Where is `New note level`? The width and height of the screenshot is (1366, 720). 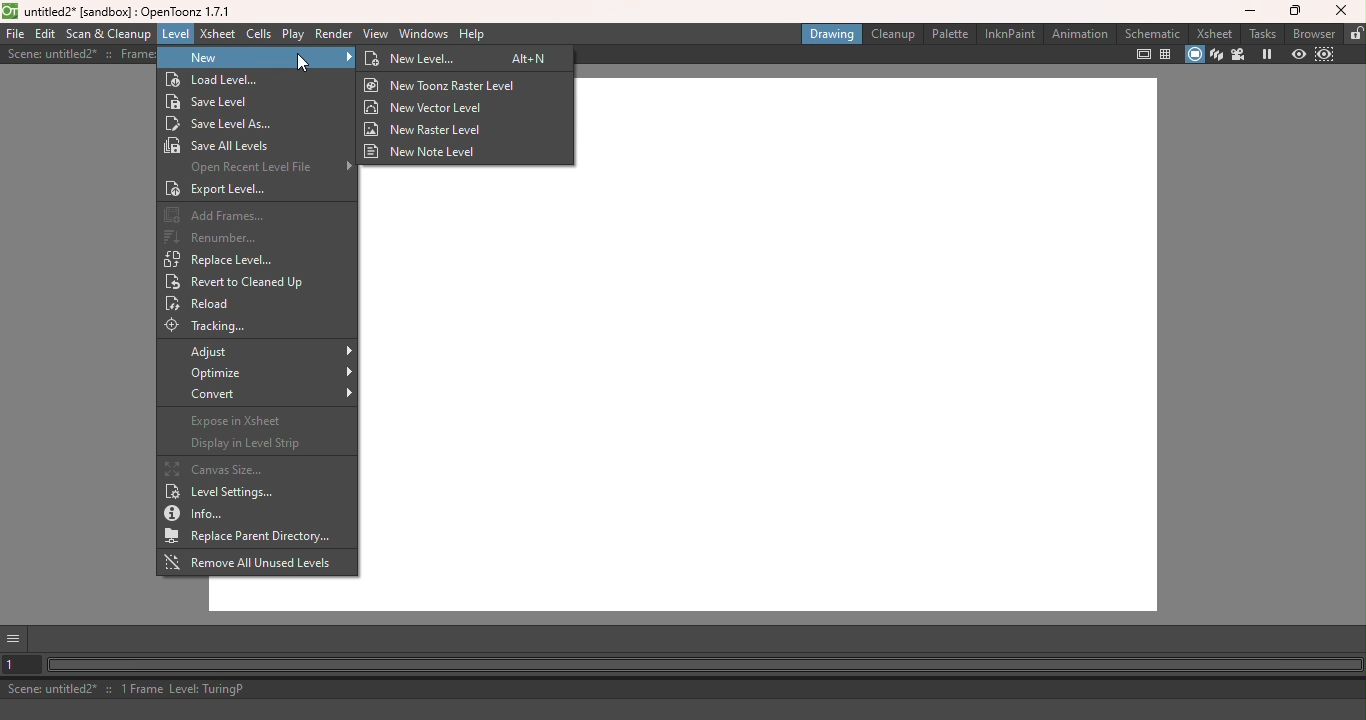
New note level is located at coordinates (429, 151).